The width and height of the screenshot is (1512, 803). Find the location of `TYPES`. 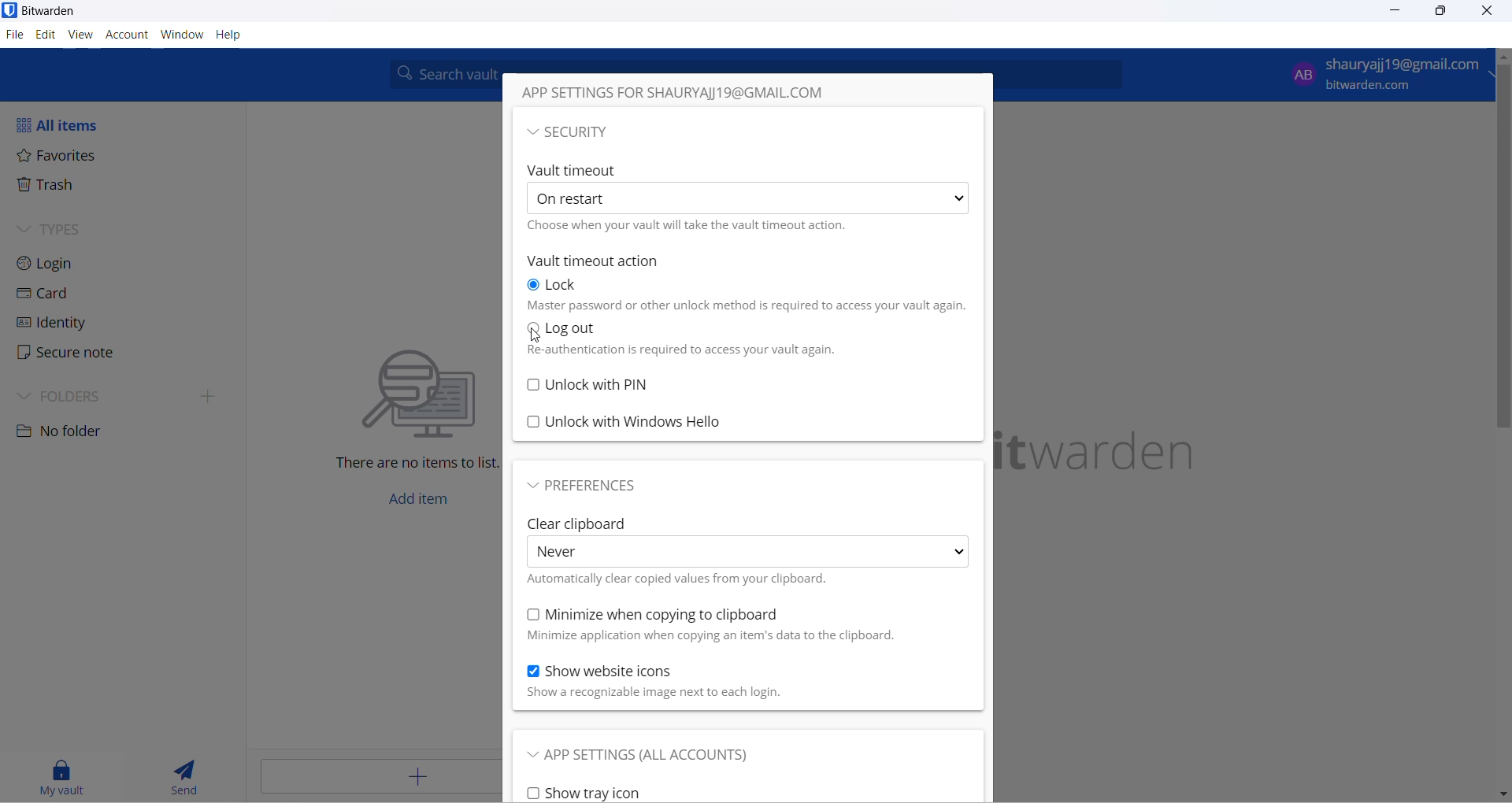

TYPES is located at coordinates (61, 229).